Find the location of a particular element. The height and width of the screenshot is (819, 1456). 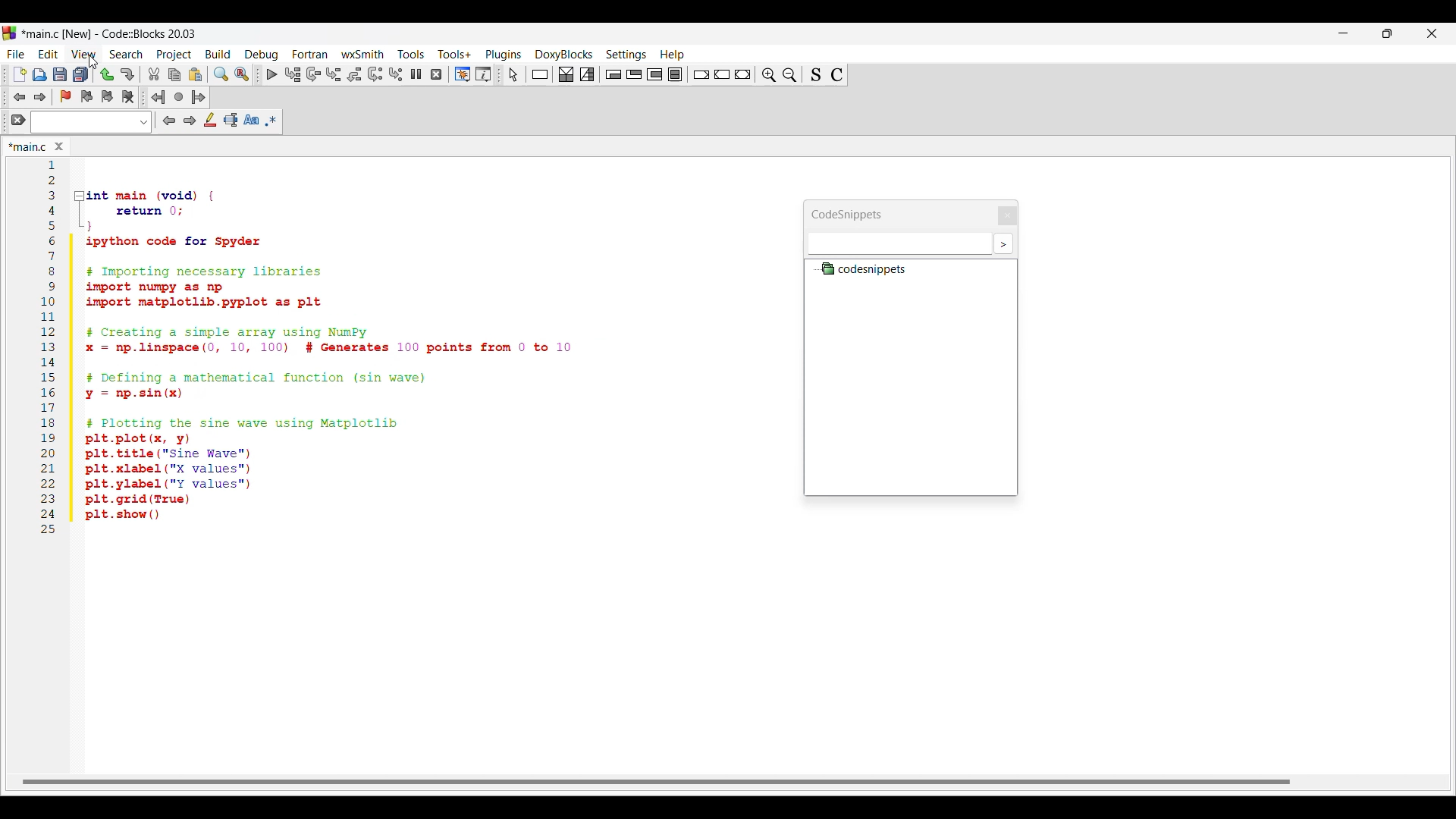

Tools menu is located at coordinates (411, 55).